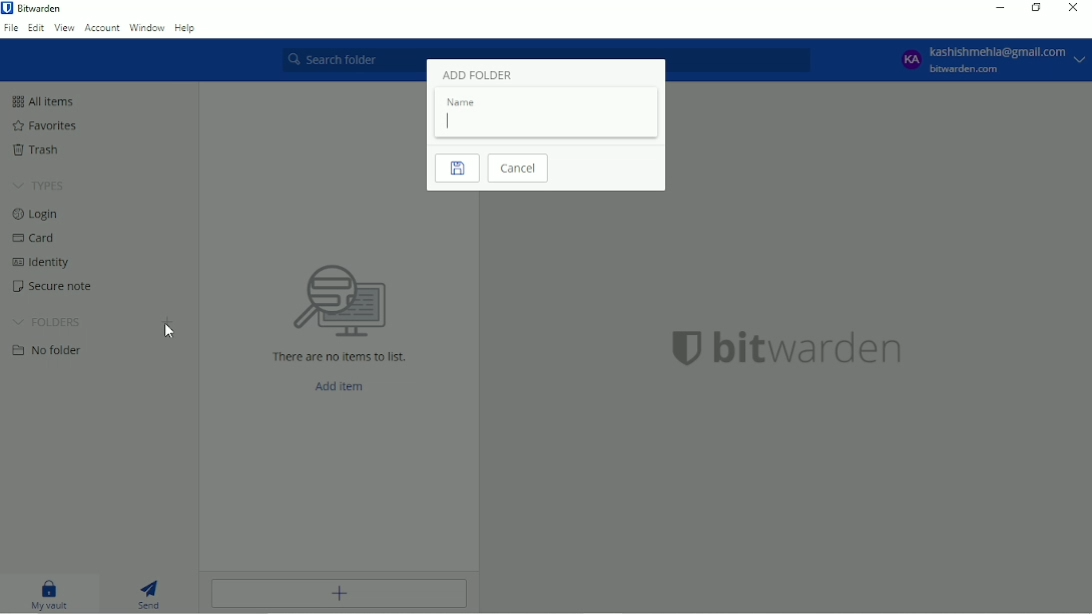  What do you see at coordinates (520, 169) in the screenshot?
I see `Cancel` at bounding box center [520, 169].